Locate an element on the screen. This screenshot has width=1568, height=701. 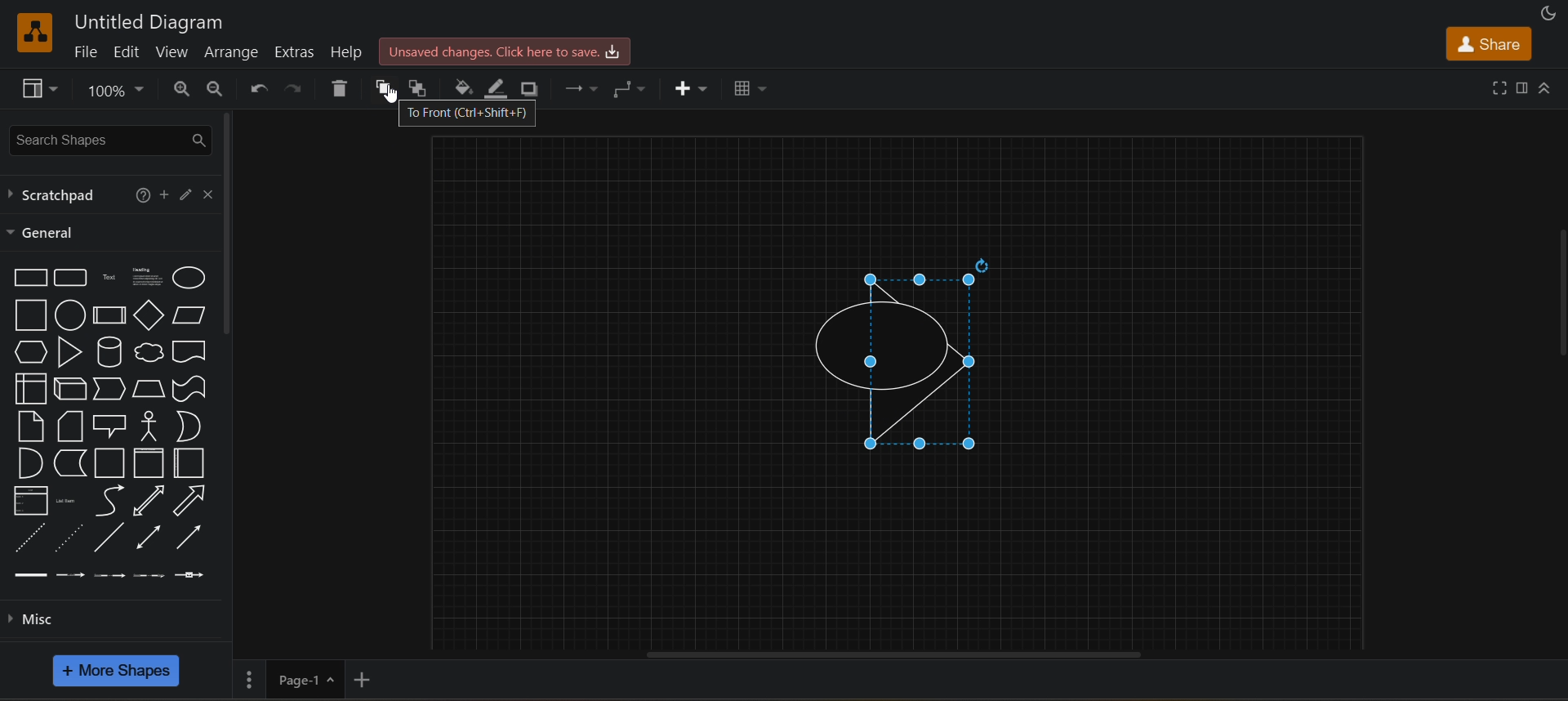
container is located at coordinates (109, 463).